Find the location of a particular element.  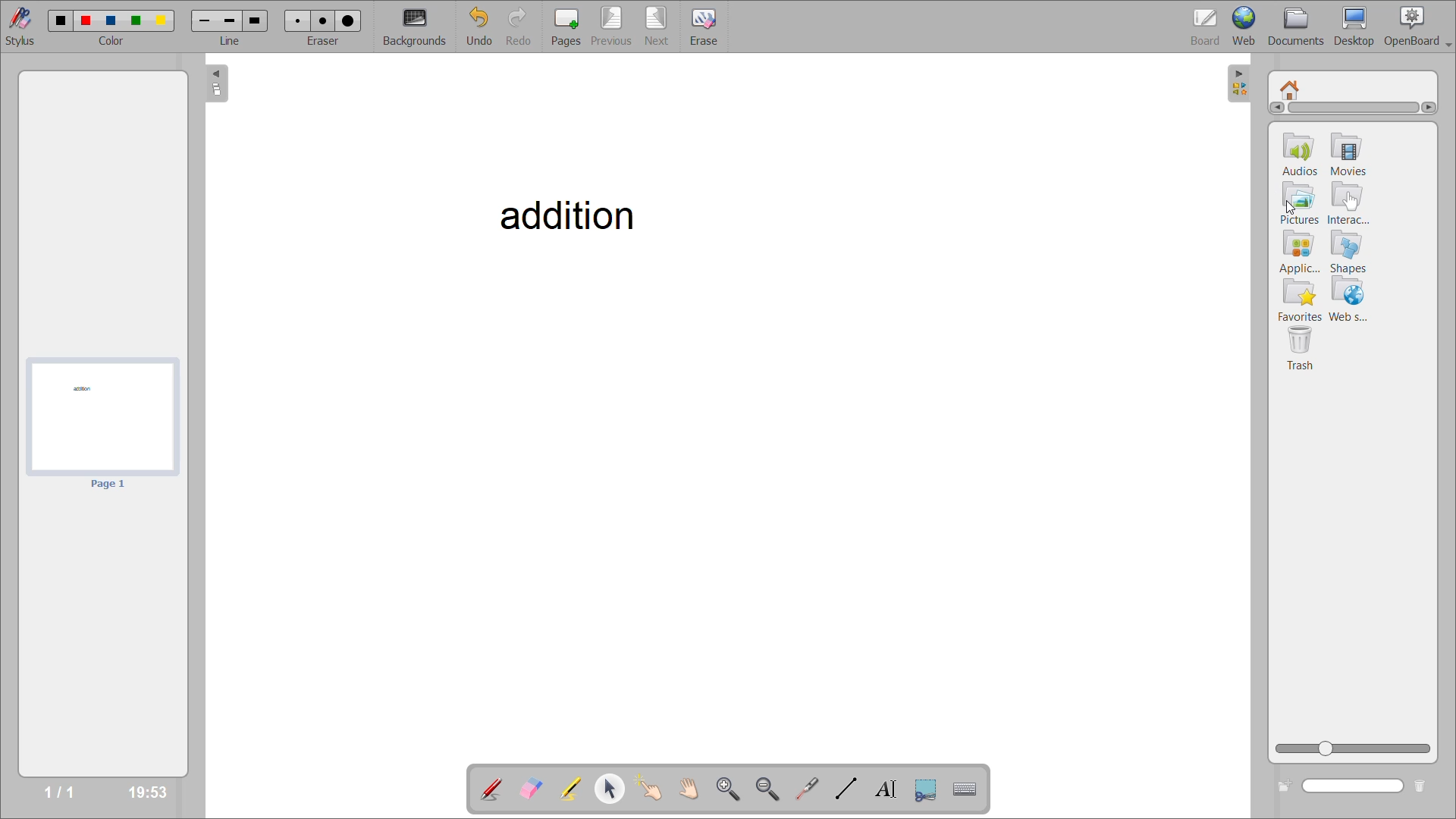

annotate document is located at coordinates (490, 790).